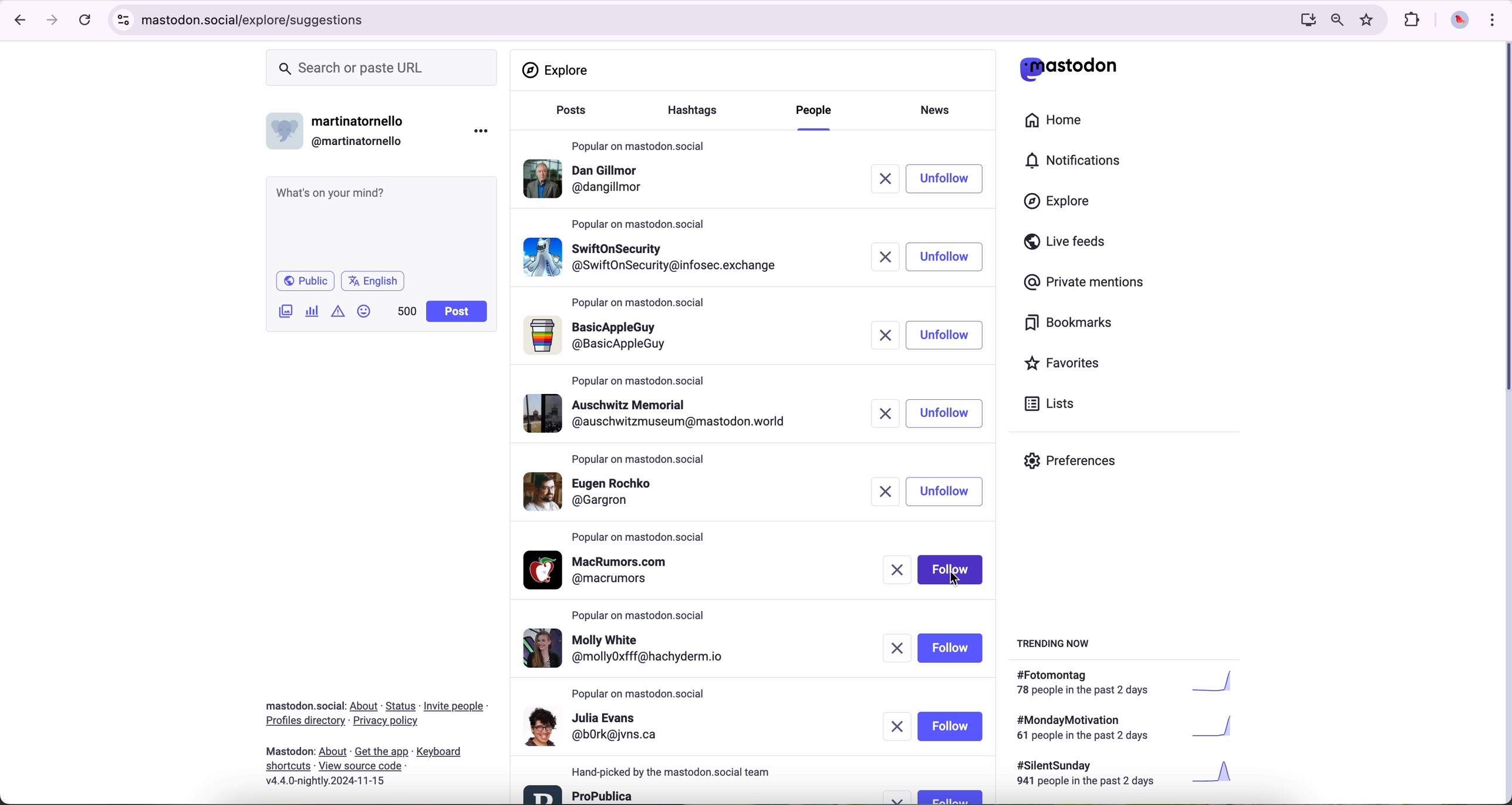 The width and height of the screenshot is (1512, 805). I want to click on profile, so click(662, 413).